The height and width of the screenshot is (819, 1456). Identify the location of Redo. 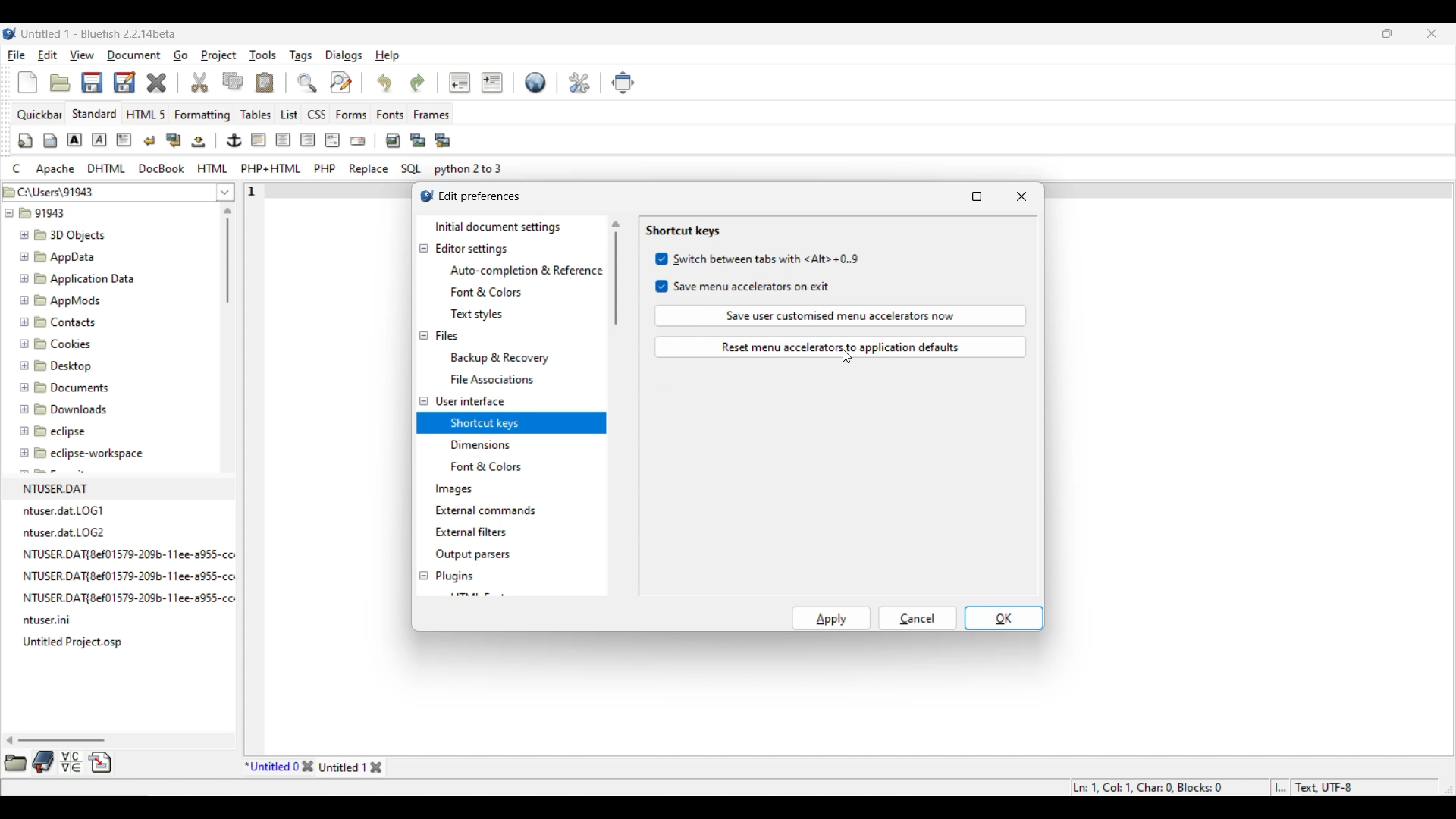
(418, 83).